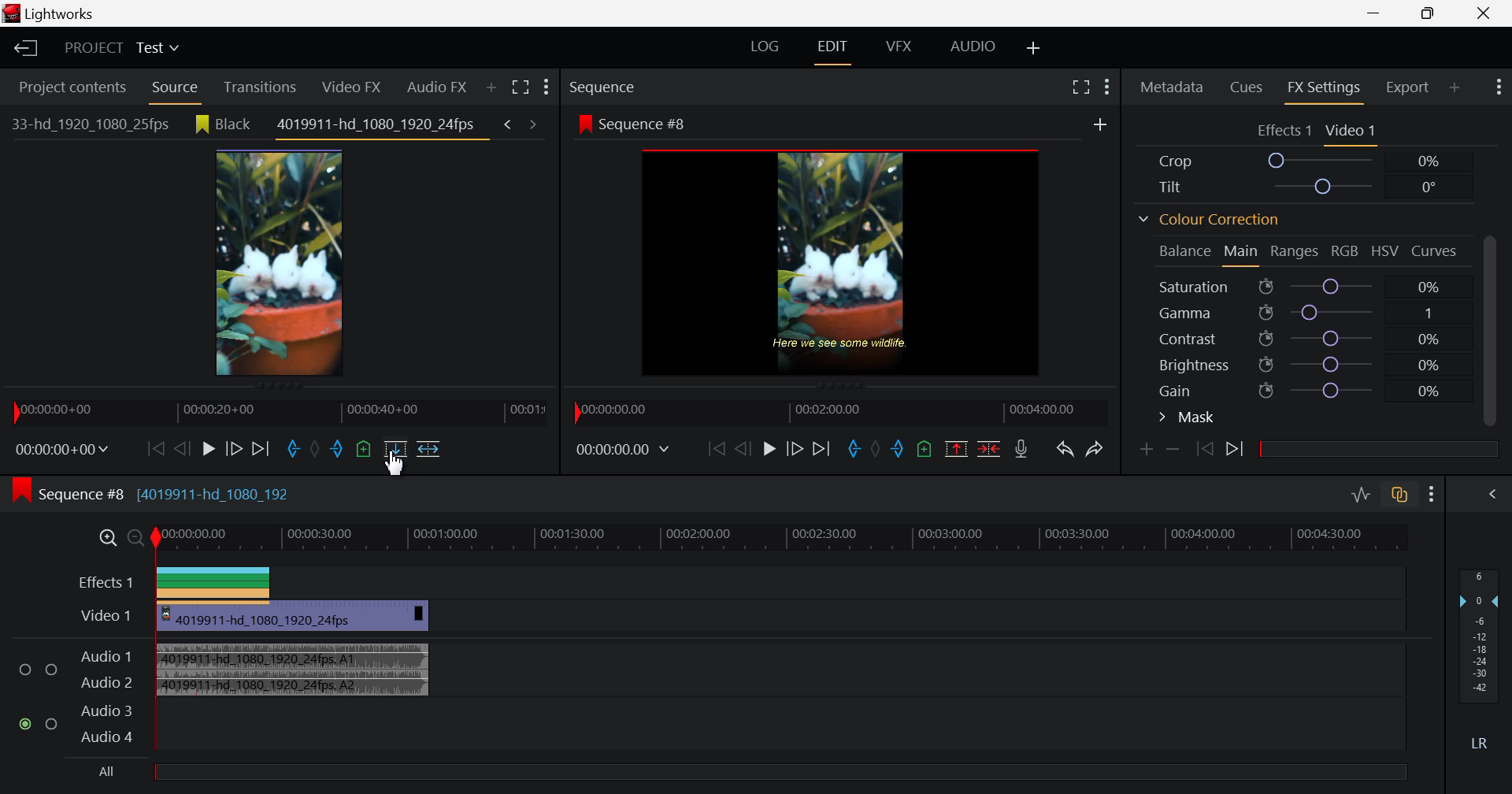  Describe the element at coordinates (379, 129) in the screenshot. I see `4019911-hd_1080_1920_24fps` at that location.